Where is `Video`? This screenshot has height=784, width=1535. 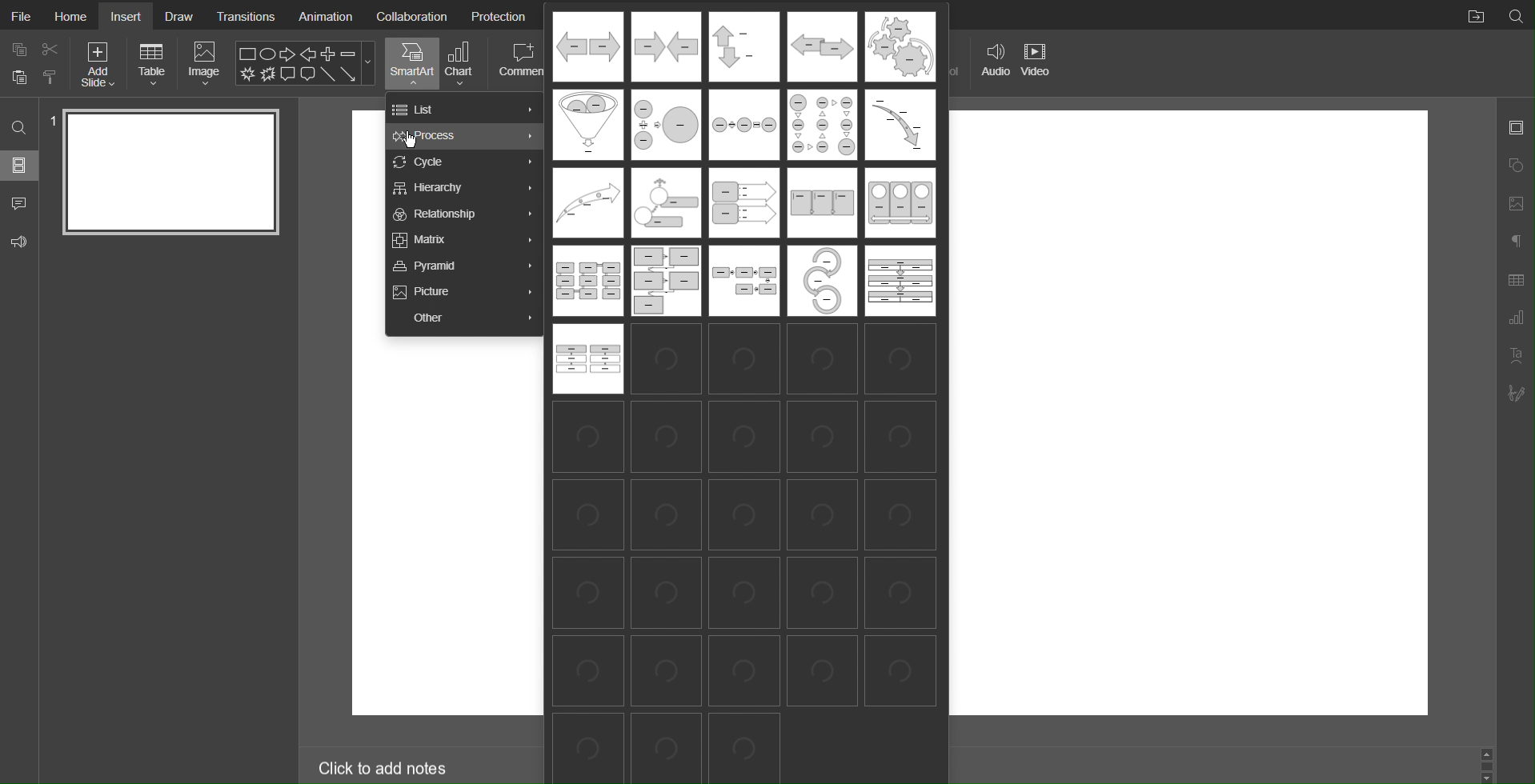 Video is located at coordinates (1038, 64).